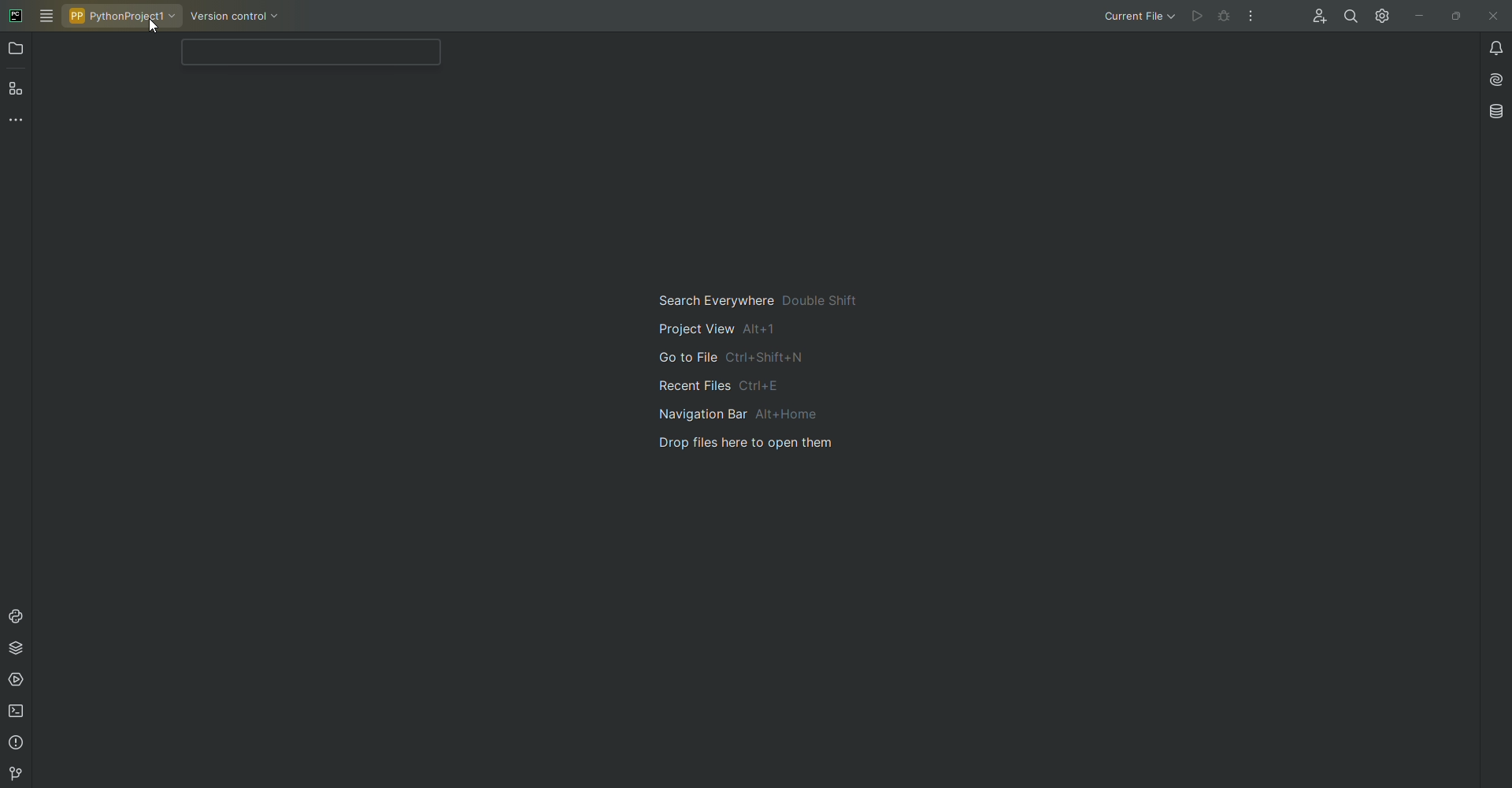  What do you see at coordinates (47, 17) in the screenshot?
I see `Main Menu` at bounding box center [47, 17].